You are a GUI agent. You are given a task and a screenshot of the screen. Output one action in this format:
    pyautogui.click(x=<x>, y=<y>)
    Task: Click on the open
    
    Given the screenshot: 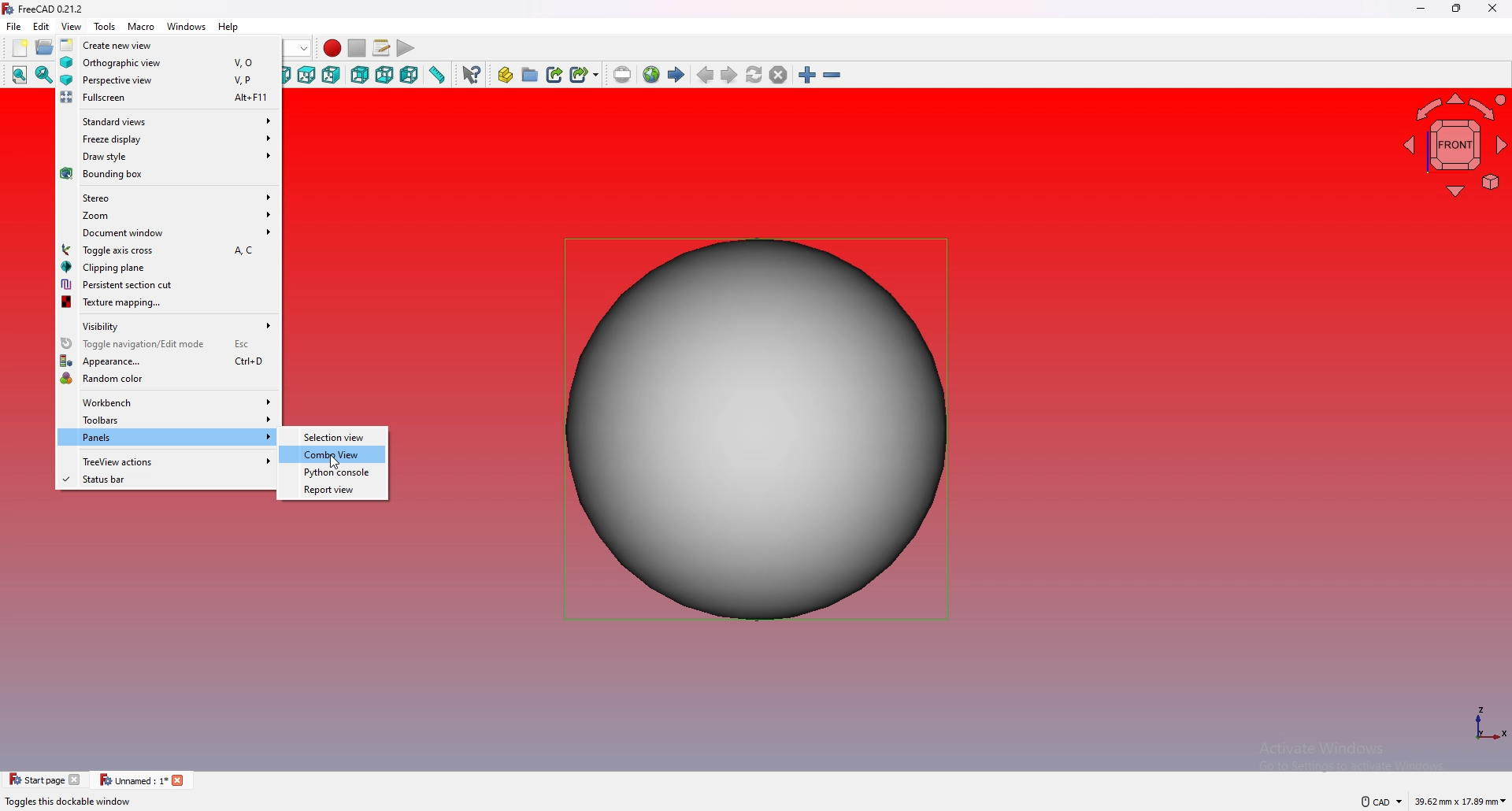 What is the action you would take?
    pyautogui.click(x=45, y=48)
    